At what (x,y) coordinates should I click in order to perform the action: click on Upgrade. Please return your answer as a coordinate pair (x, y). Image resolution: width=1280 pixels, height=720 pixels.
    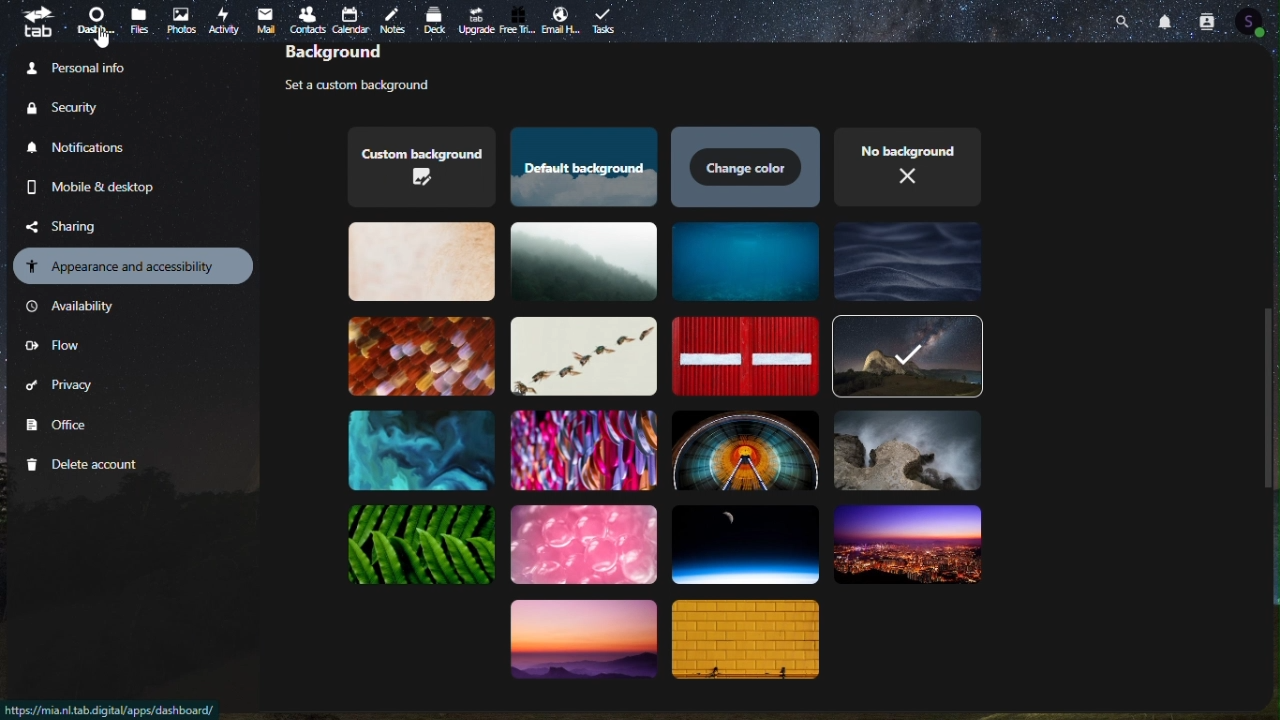
    Looking at the image, I should click on (476, 20).